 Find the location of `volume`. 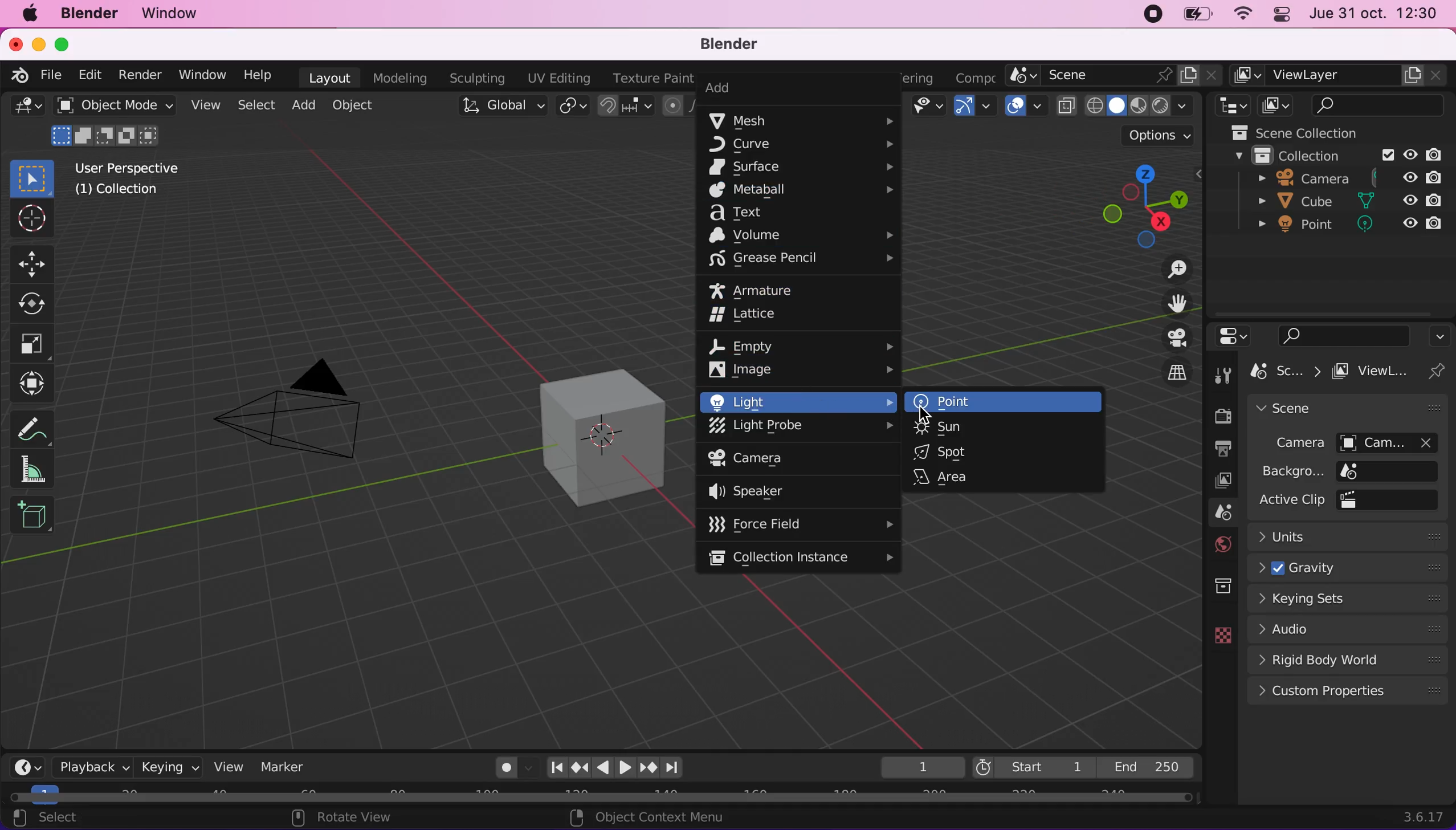

volume is located at coordinates (800, 235).